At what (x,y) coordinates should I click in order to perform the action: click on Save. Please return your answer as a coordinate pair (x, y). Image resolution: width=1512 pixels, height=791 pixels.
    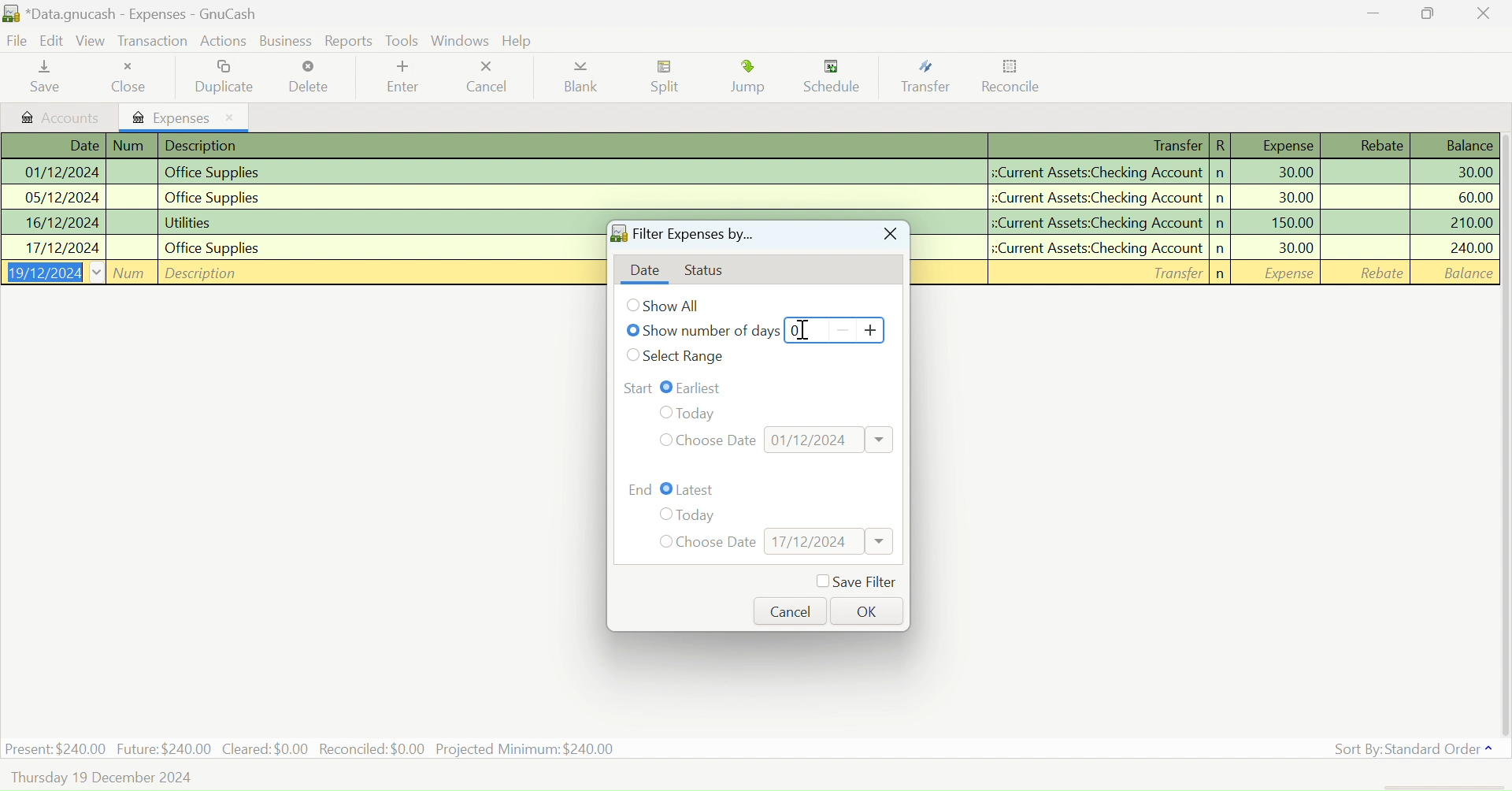
    Looking at the image, I should click on (43, 78).